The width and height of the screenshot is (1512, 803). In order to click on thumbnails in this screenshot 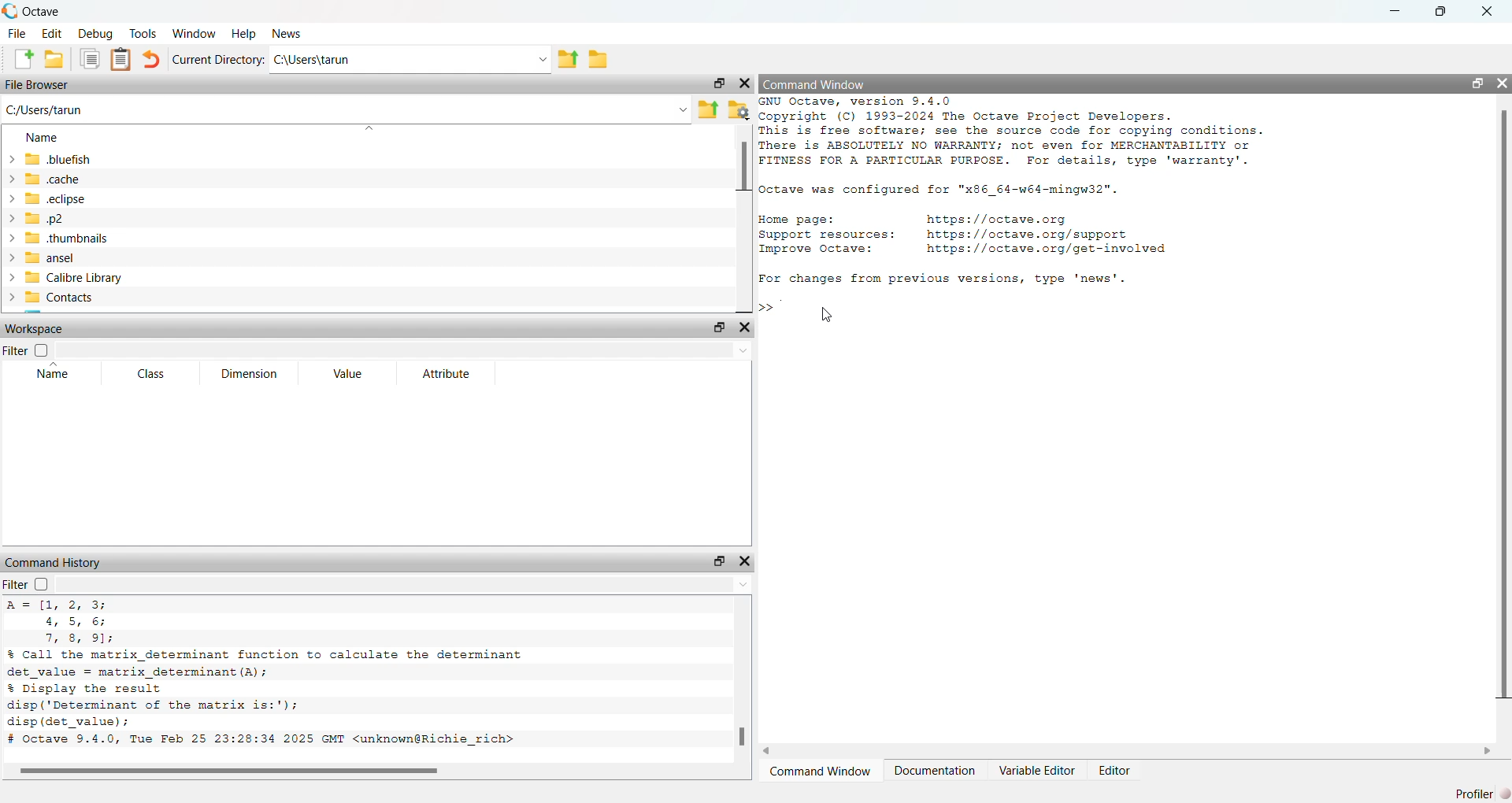, I will do `click(61, 238)`.